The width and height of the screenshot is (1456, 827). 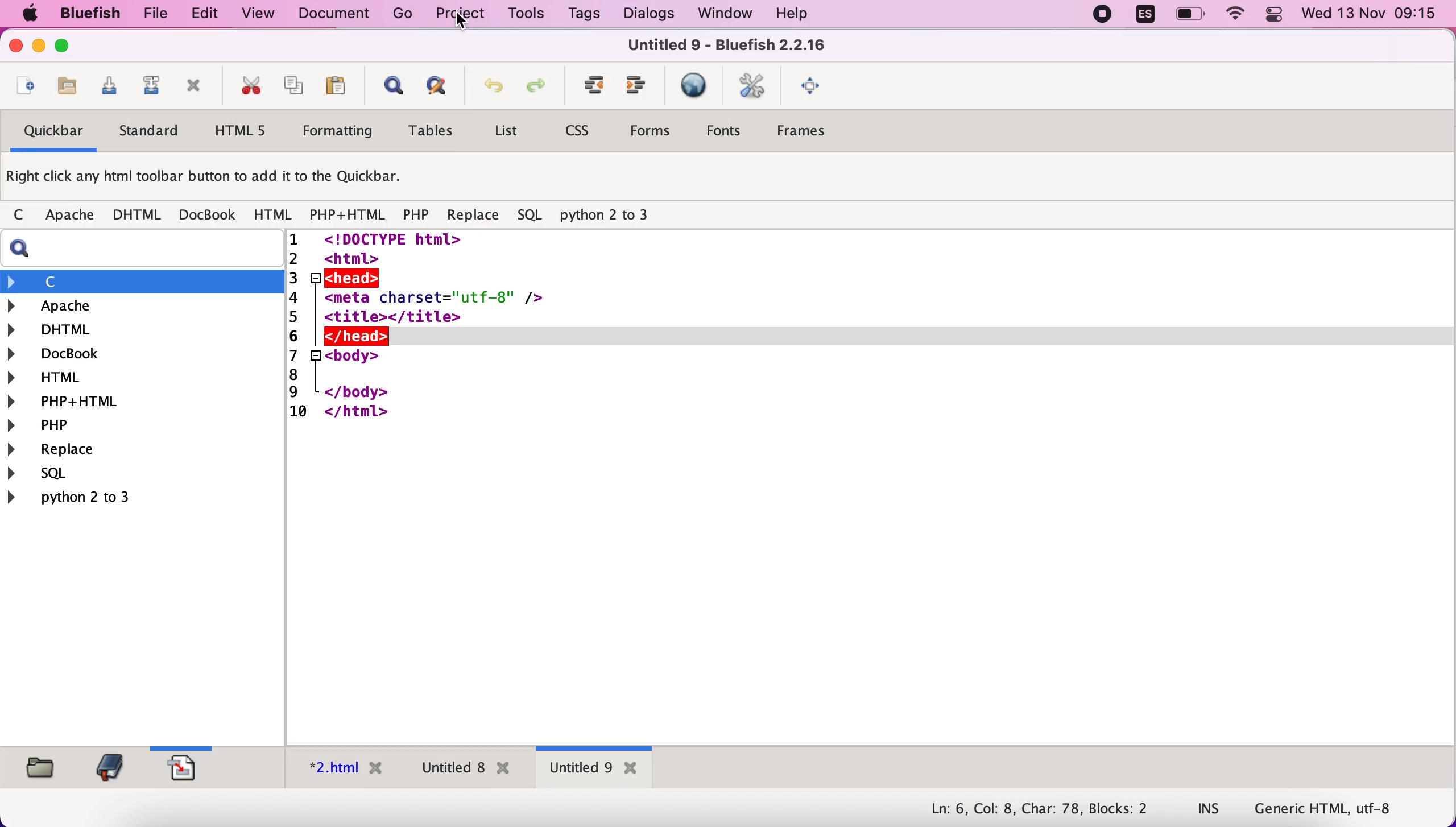 What do you see at coordinates (433, 90) in the screenshot?
I see `advanced find and replace` at bounding box center [433, 90].